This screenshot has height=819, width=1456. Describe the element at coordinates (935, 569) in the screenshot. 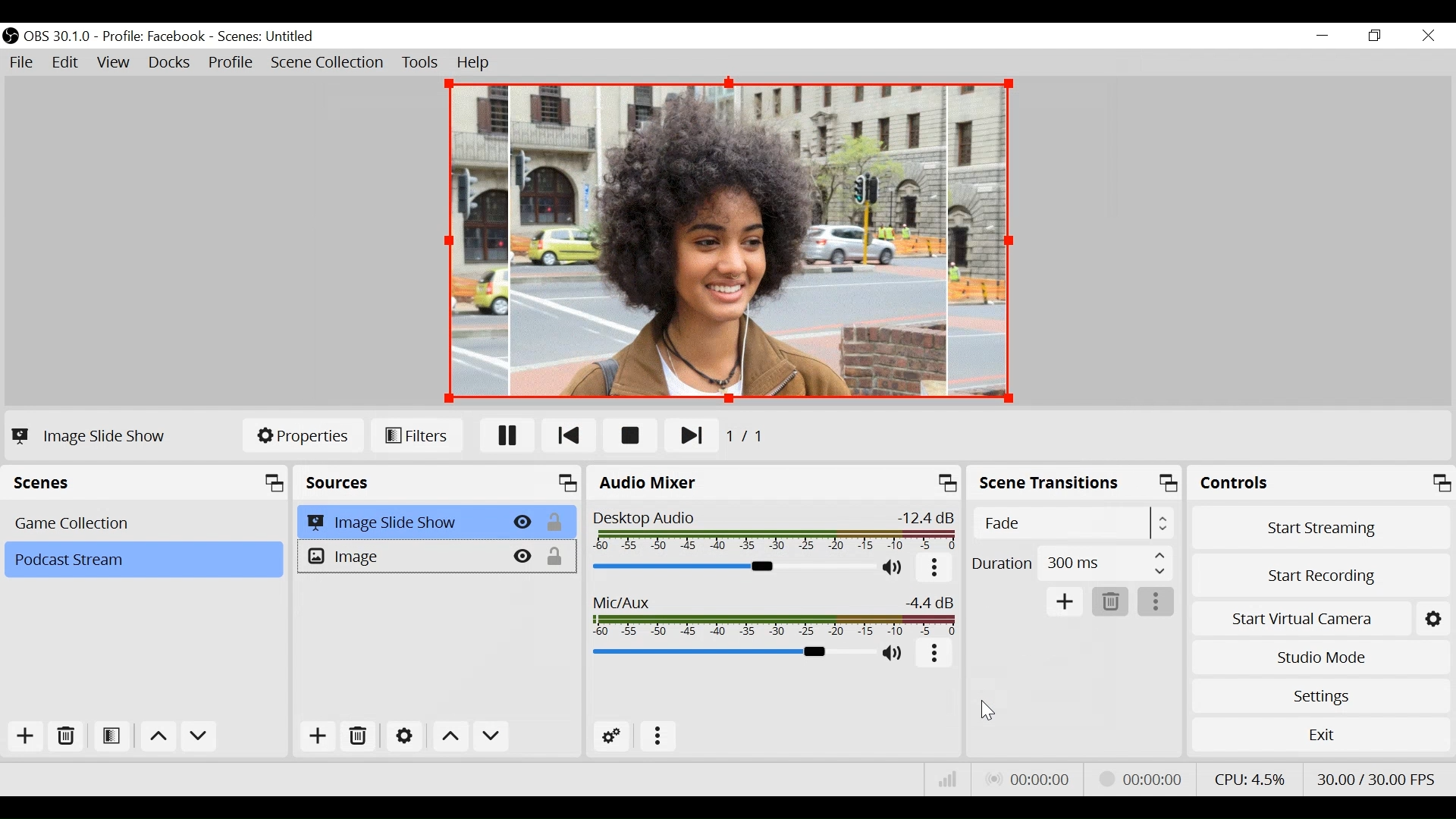

I see `More options` at that location.